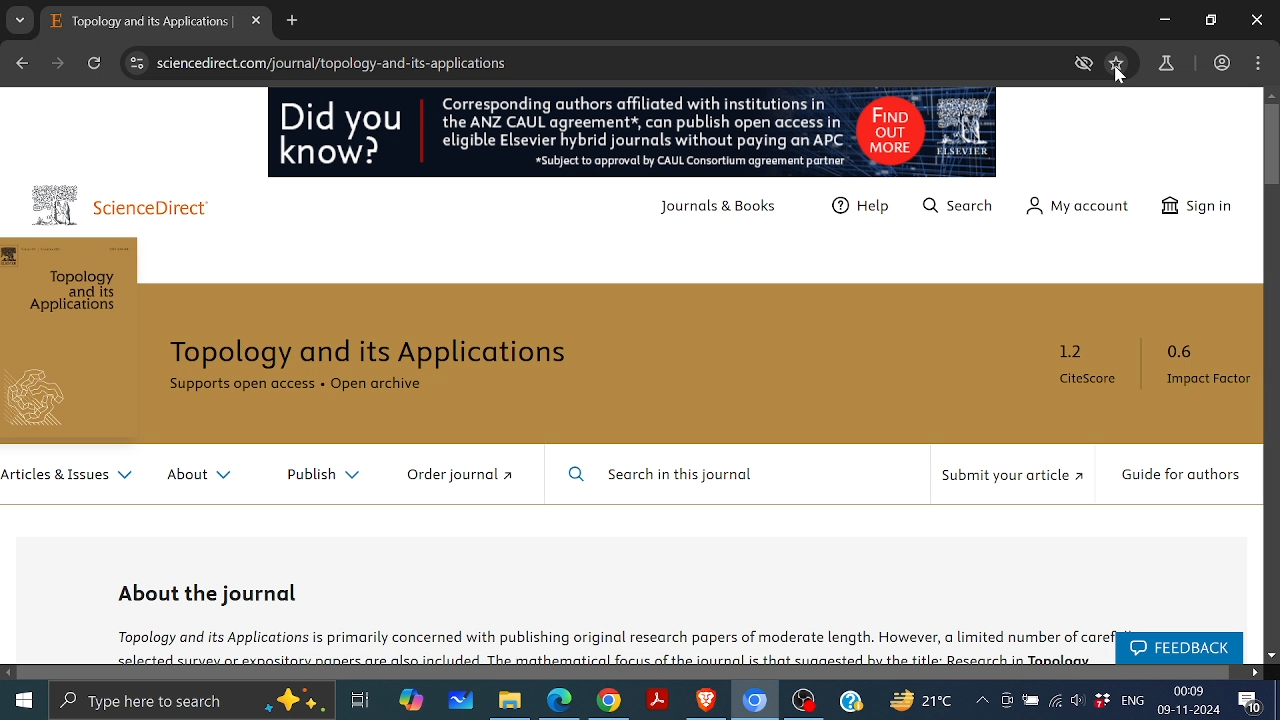 This screenshot has width=1280, height=720. Describe the element at coordinates (658, 700) in the screenshot. I see `Adobe reader` at that location.